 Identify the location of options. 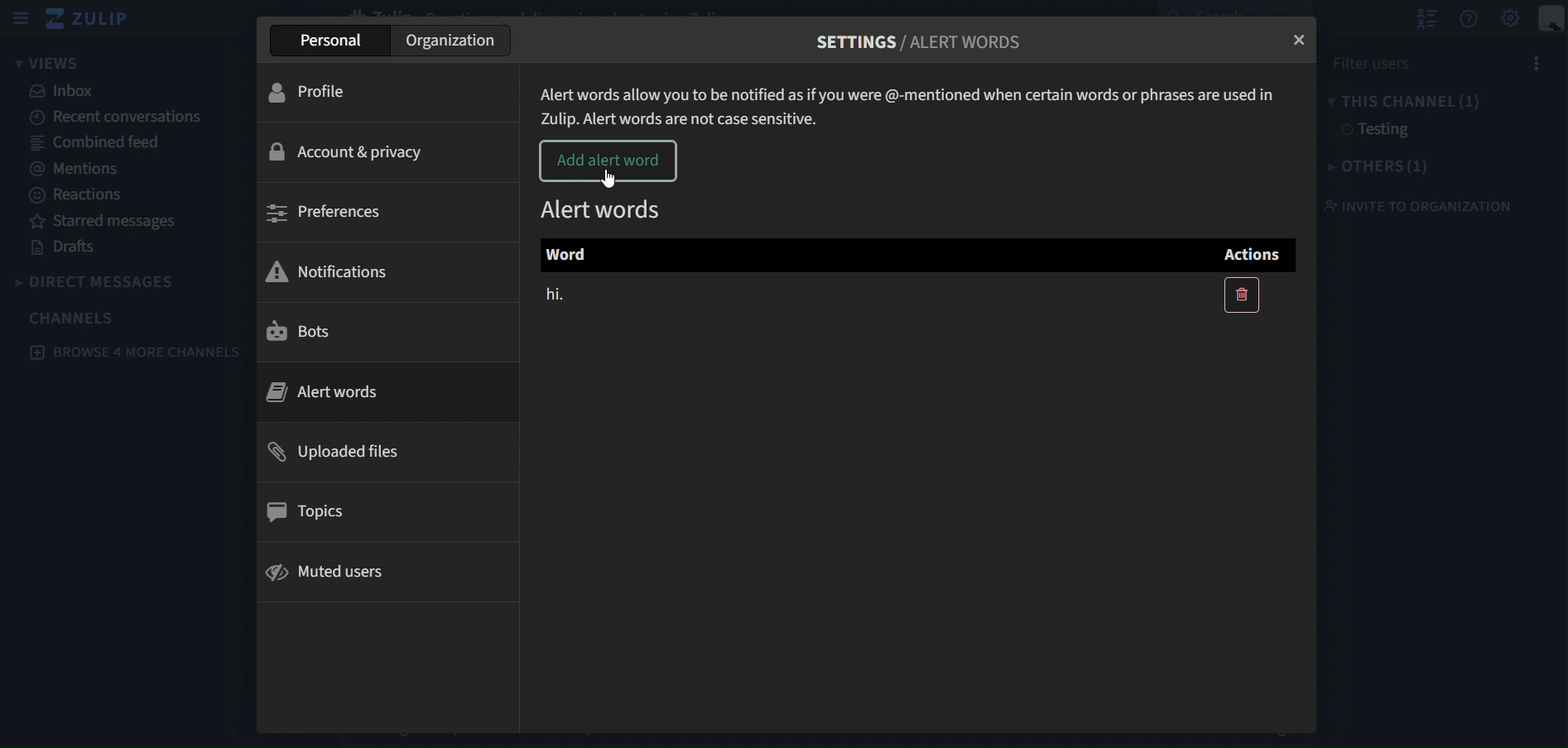
(1537, 61).